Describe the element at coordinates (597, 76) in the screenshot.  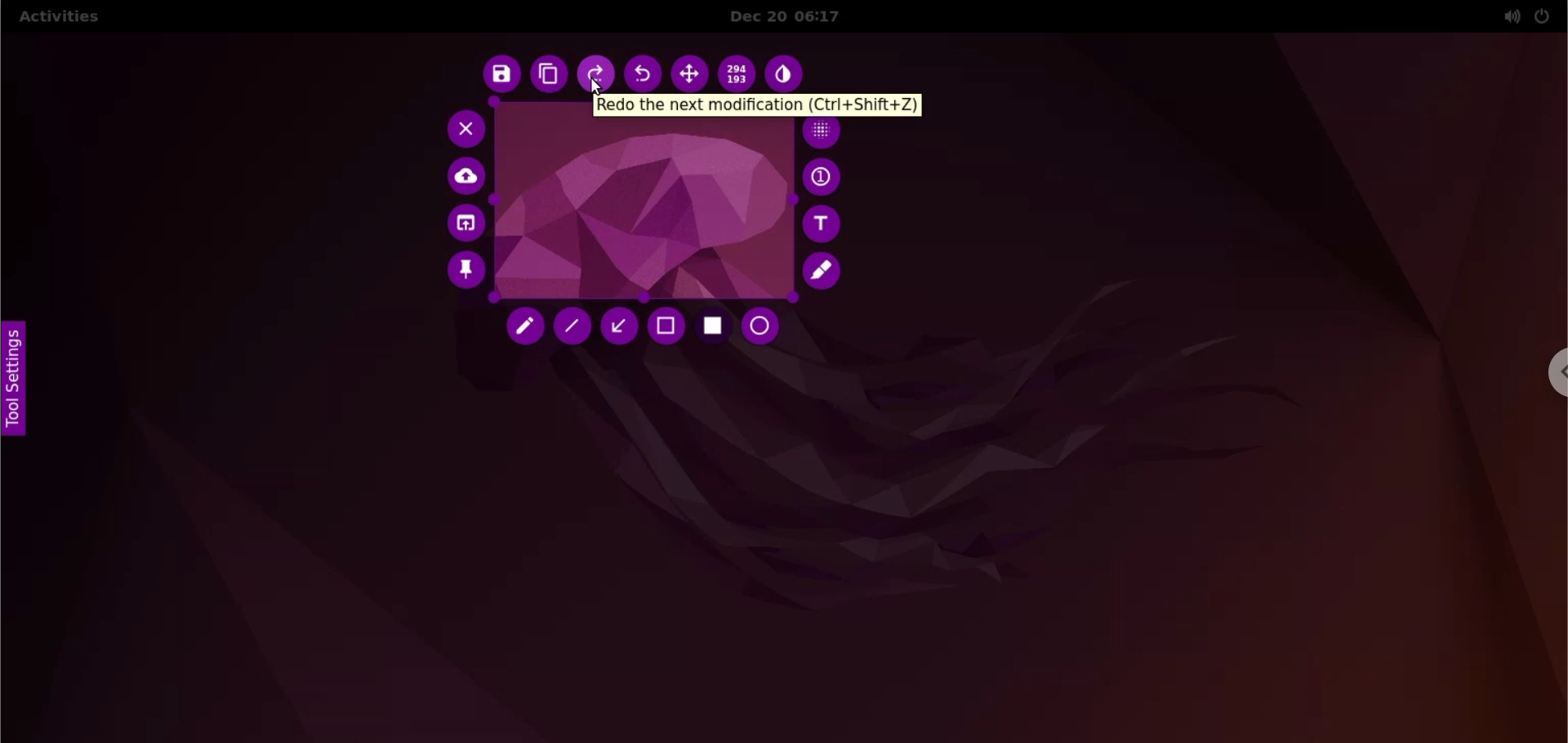
I see `redo` at that location.